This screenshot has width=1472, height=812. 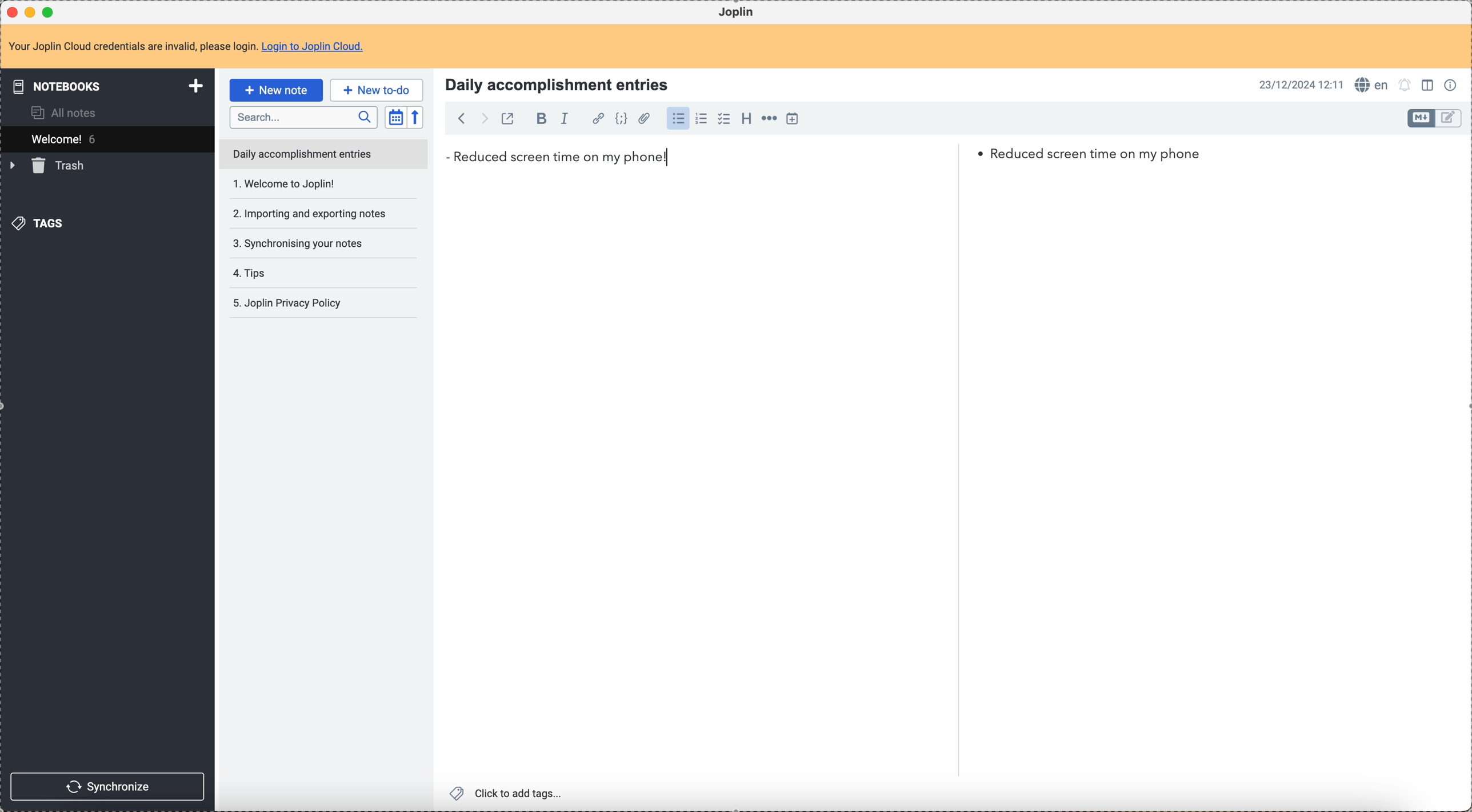 What do you see at coordinates (483, 118) in the screenshot?
I see `foward` at bounding box center [483, 118].